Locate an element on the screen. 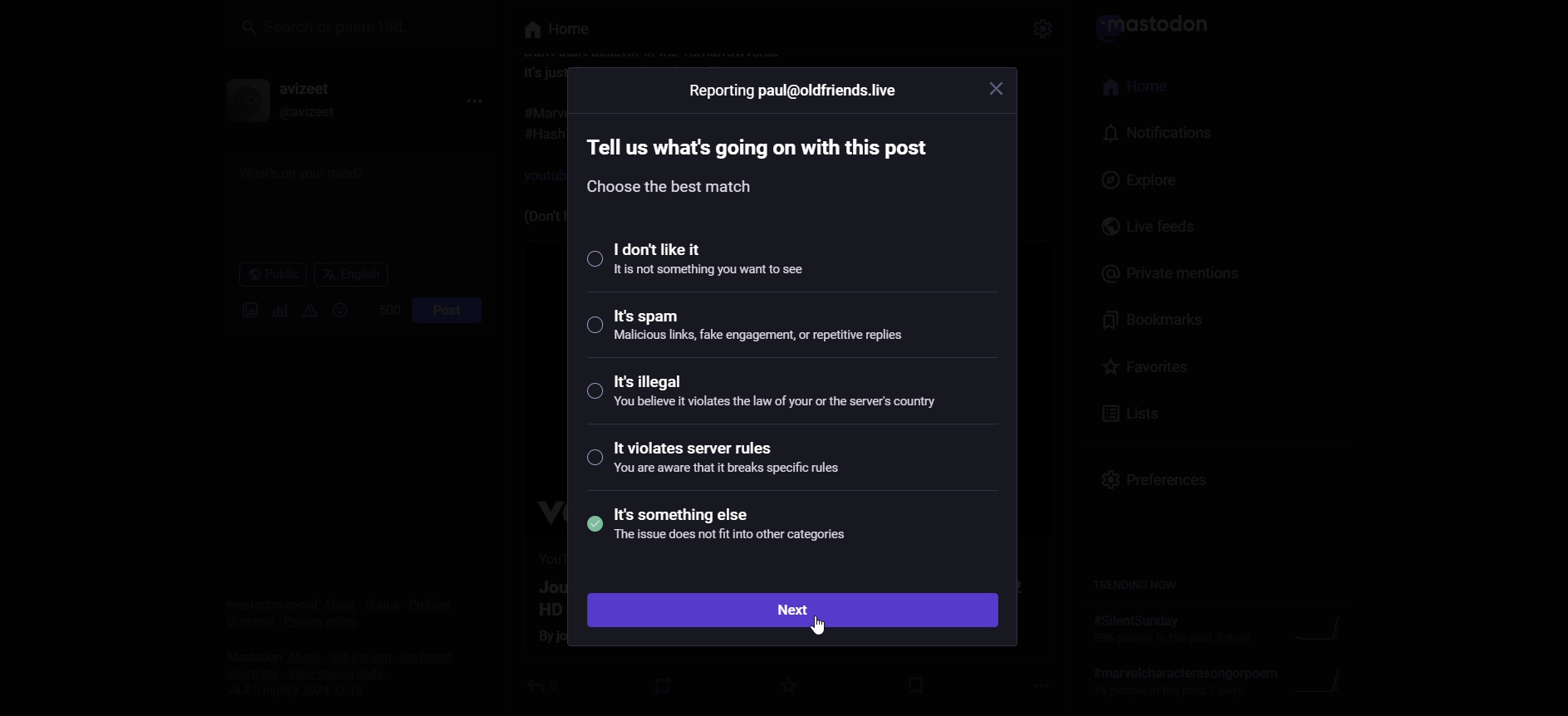 The width and height of the screenshot is (1568, 716). notification is located at coordinates (1152, 134).